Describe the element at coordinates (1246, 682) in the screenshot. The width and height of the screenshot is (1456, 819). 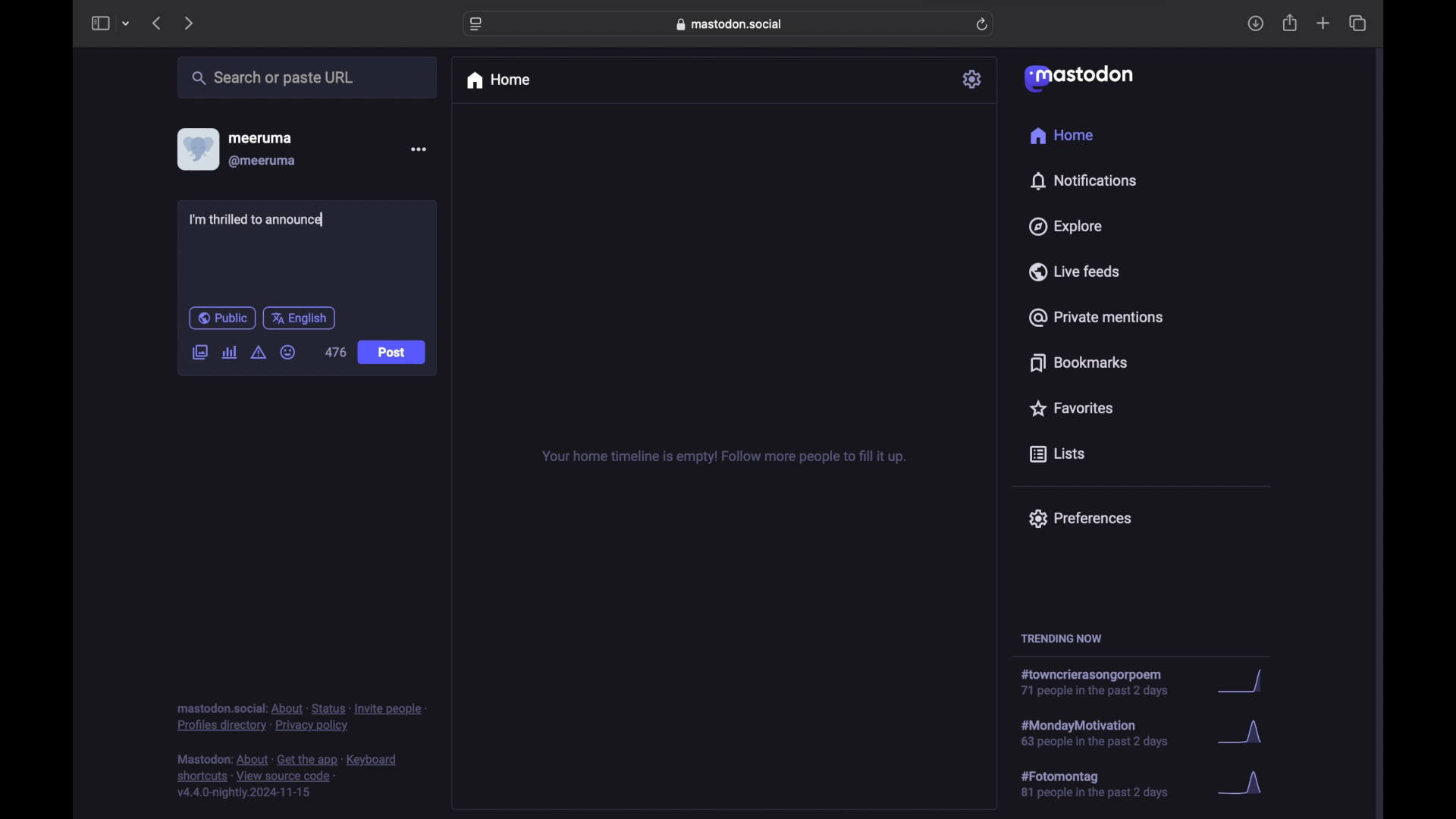
I see `graph` at that location.